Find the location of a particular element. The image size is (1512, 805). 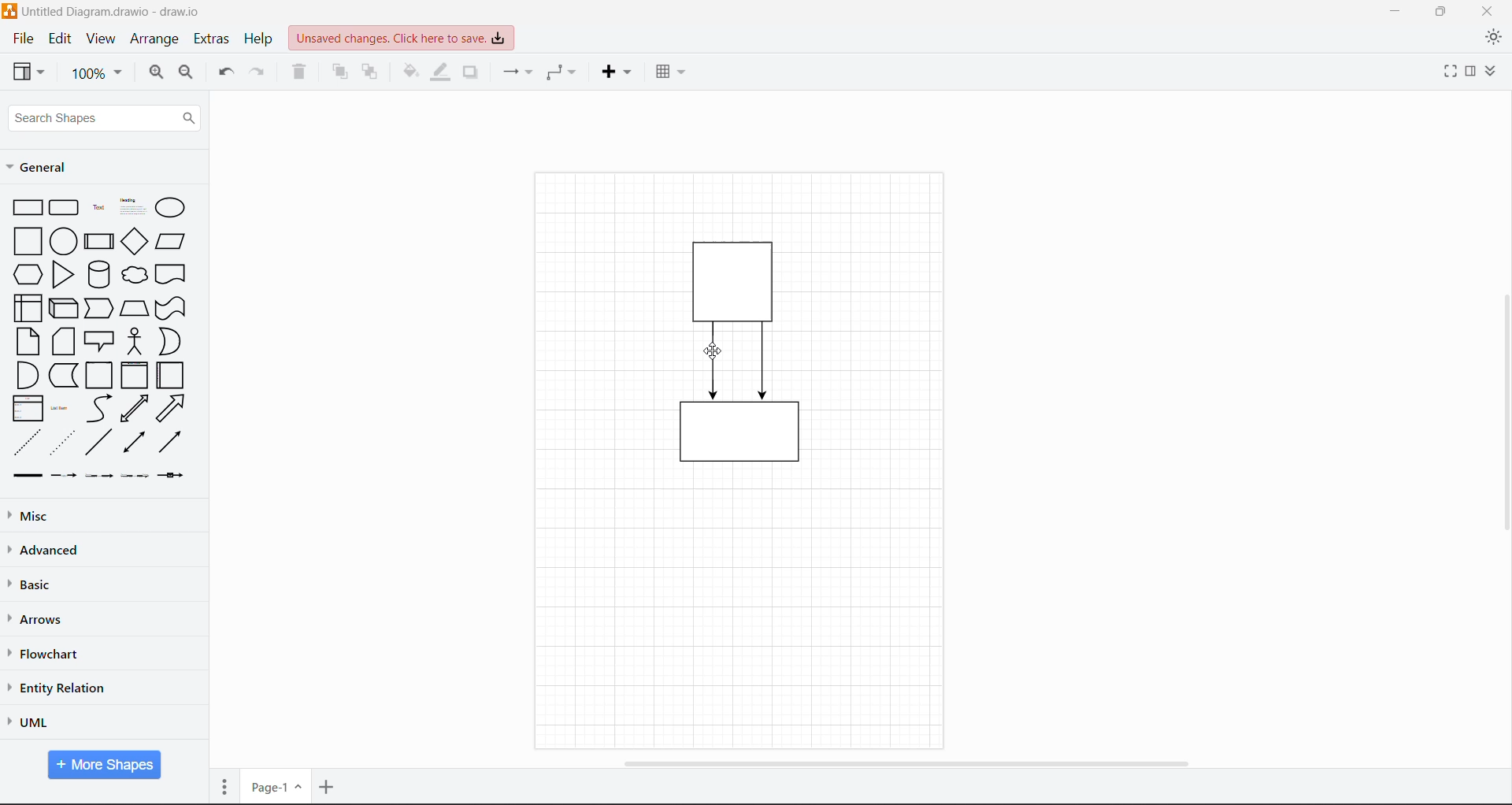

draw.io logo is located at coordinates (9, 10).